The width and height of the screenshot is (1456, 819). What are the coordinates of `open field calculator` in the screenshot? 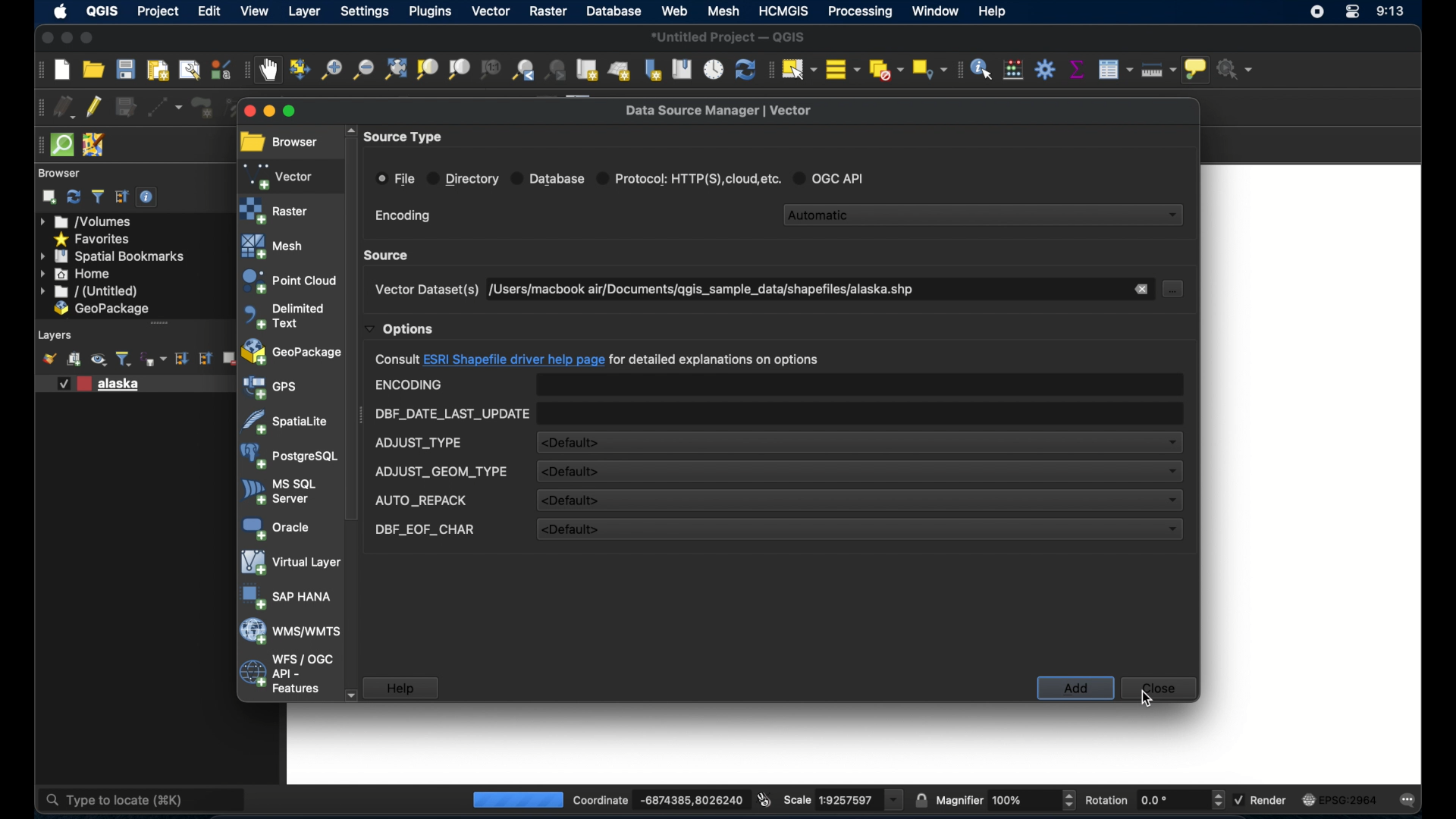 It's located at (1013, 70).